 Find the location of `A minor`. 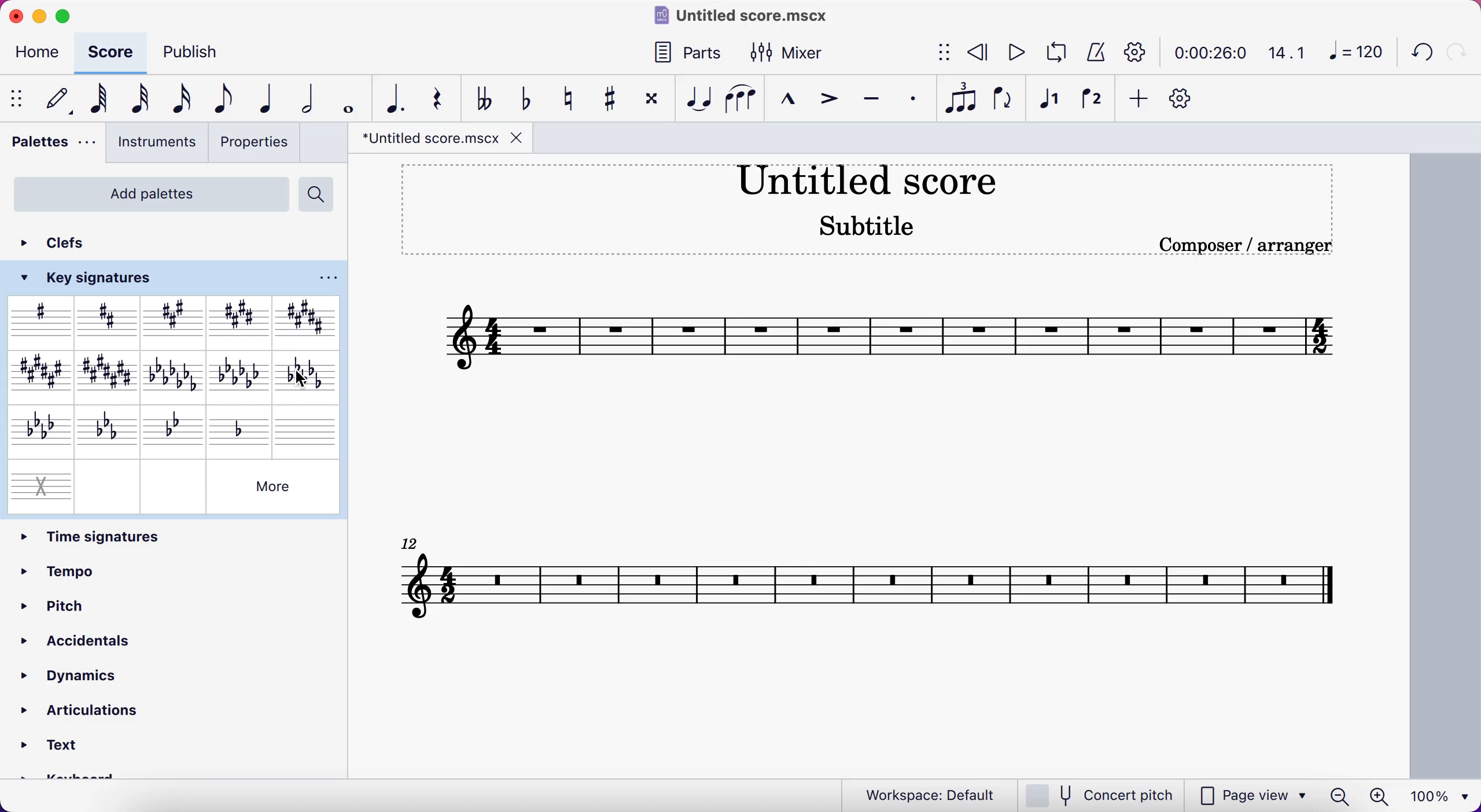

A minor is located at coordinates (175, 375).